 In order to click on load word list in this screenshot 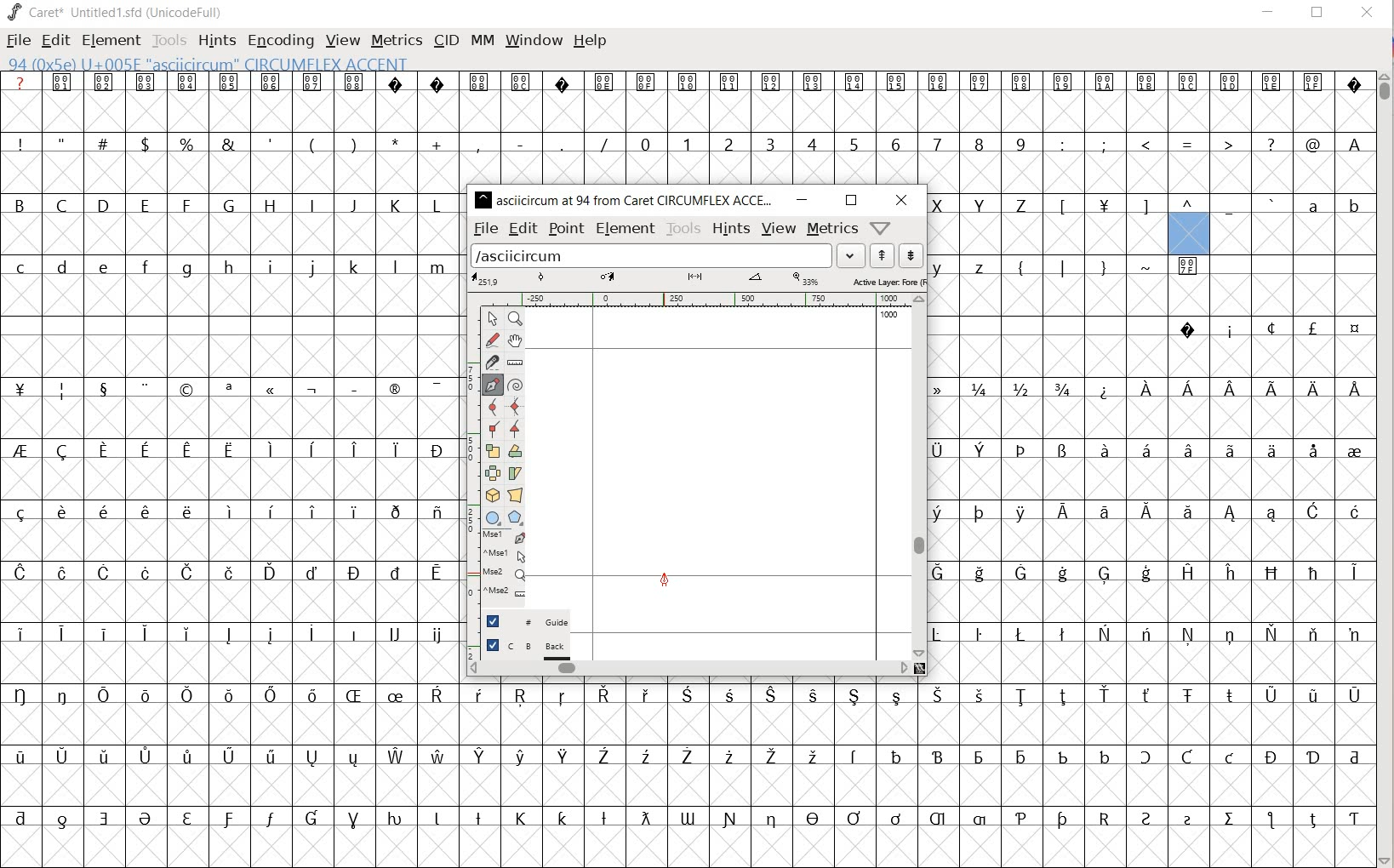, I will do `click(667, 257)`.